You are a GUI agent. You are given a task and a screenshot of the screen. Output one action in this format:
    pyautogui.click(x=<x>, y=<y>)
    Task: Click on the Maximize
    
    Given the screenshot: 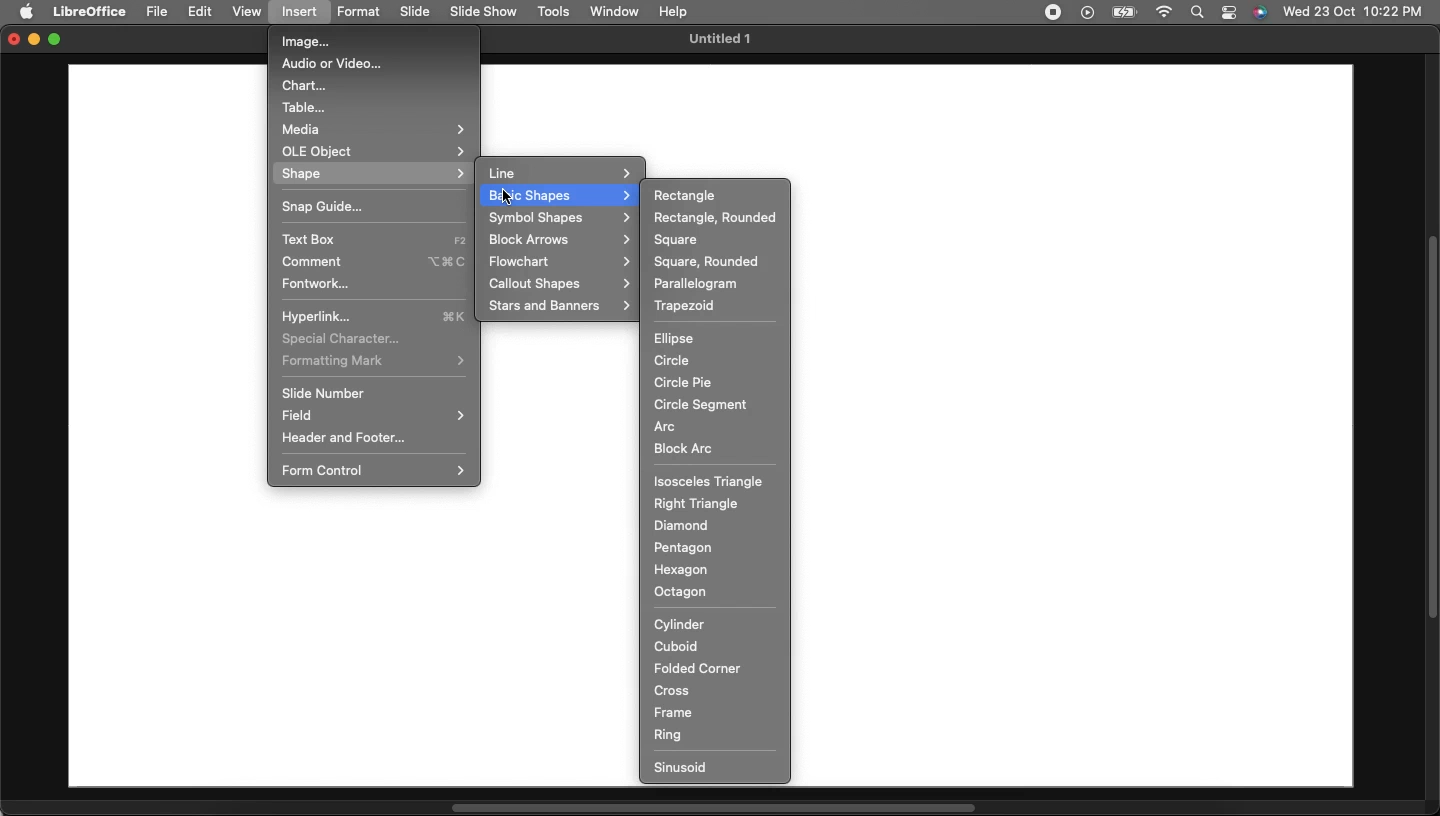 What is the action you would take?
    pyautogui.click(x=58, y=41)
    